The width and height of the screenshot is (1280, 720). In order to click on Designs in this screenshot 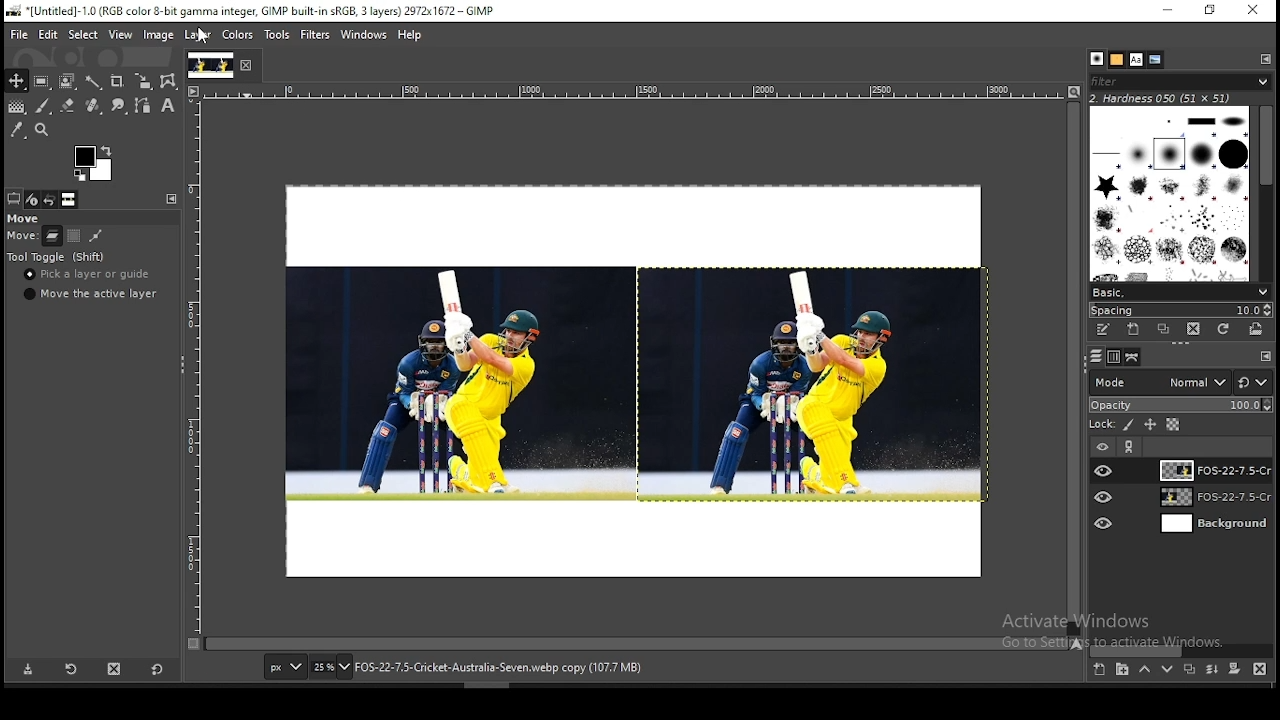, I will do `click(1171, 192)`.